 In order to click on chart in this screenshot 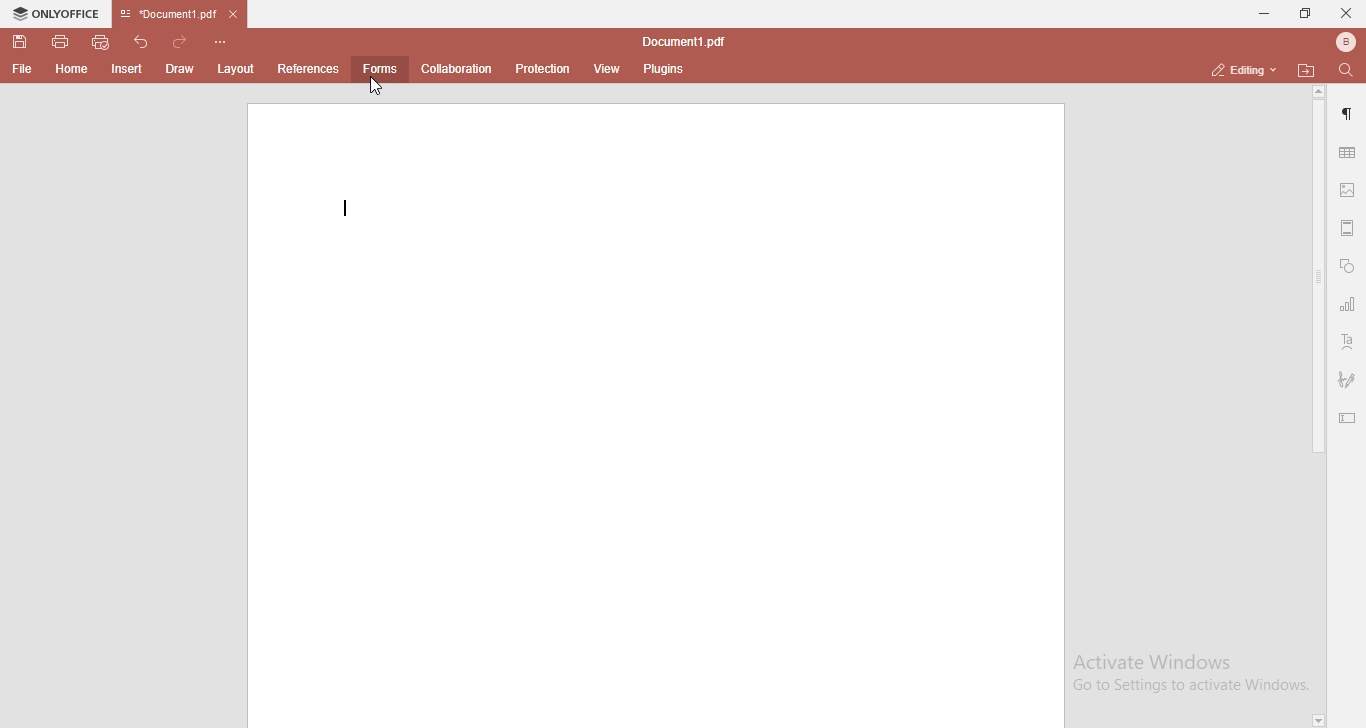, I will do `click(1348, 308)`.